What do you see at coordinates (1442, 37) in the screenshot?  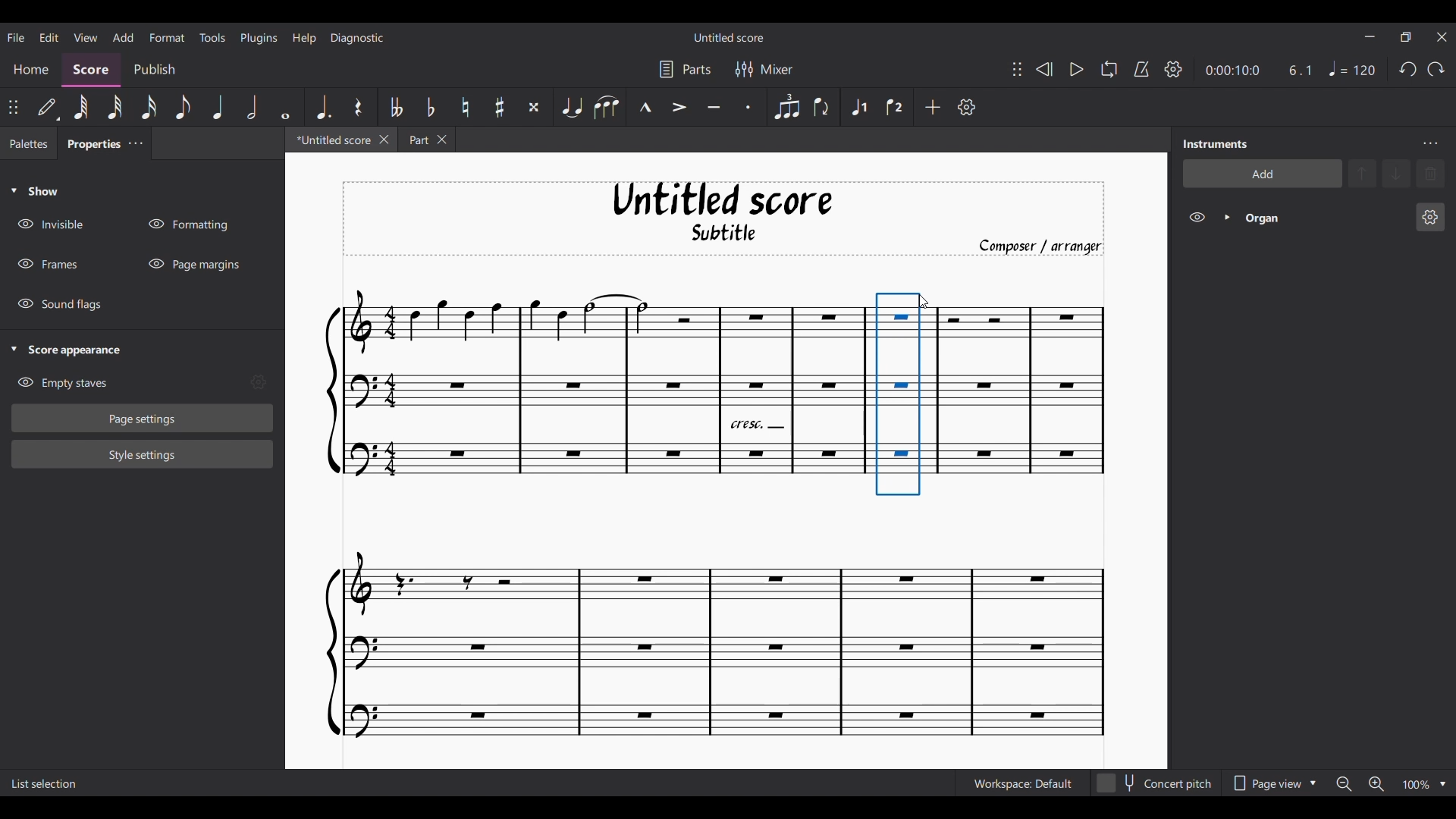 I see `Close interface` at bounding box center [1442, 37].